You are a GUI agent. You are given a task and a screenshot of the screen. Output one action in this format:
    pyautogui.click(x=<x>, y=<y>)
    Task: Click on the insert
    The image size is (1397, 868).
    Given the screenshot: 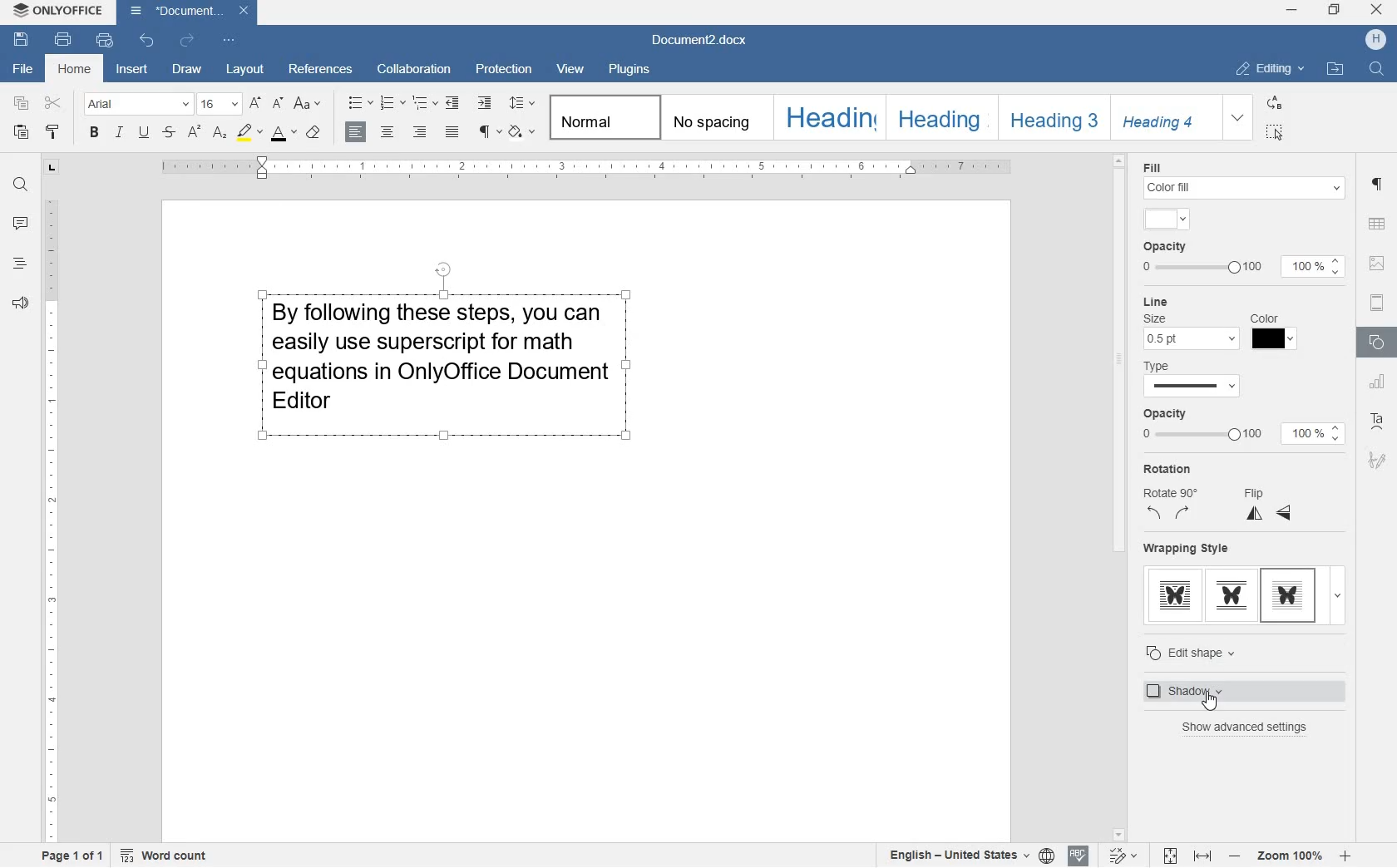 What is the action you would take?
    pyautogui.click(x=131, y=70)
    